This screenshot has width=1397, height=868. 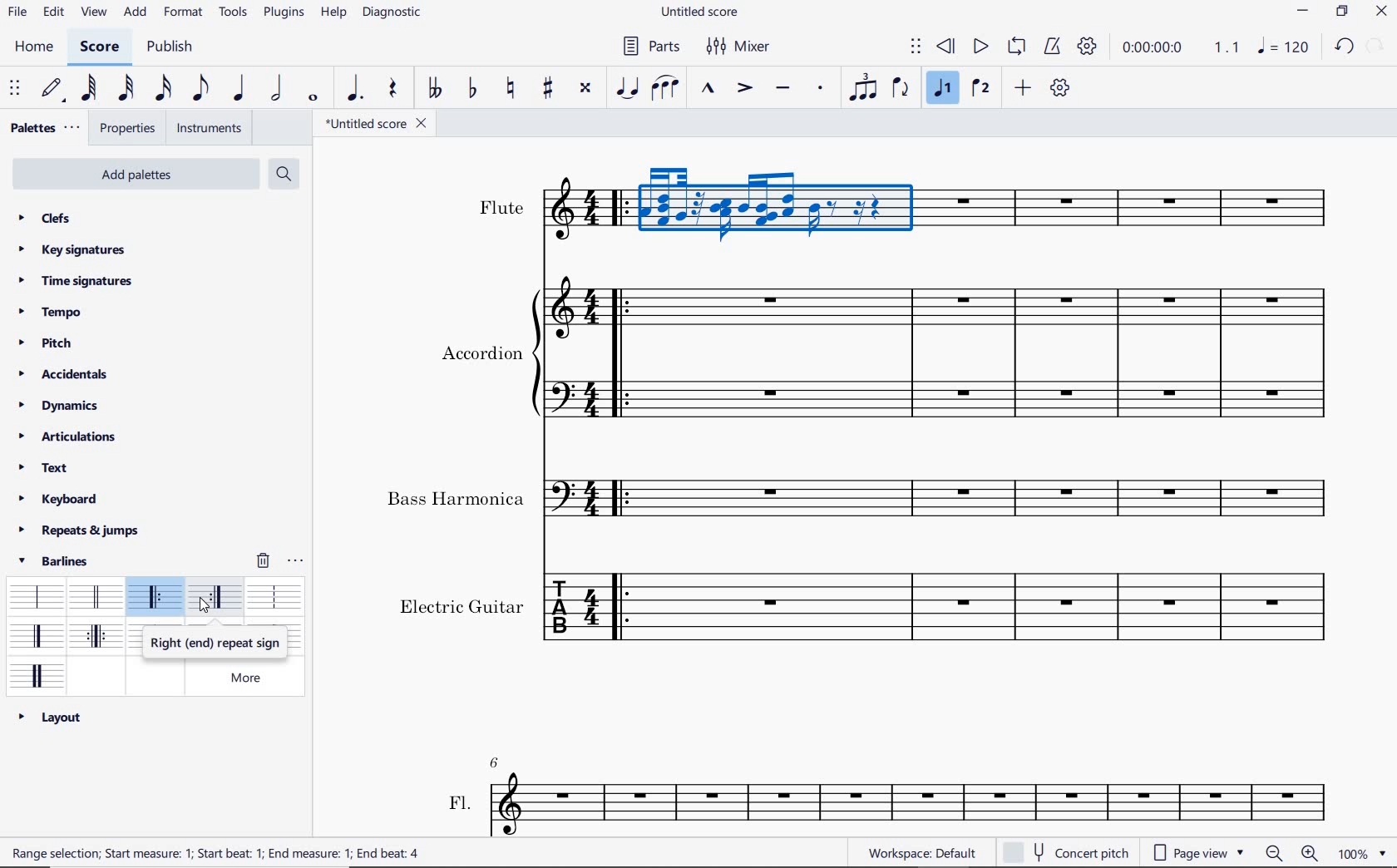 What do you see at coordinates (217, 599) in the screenshot?
I see `right (end) repeat sign` at bounding box center [217, 599].